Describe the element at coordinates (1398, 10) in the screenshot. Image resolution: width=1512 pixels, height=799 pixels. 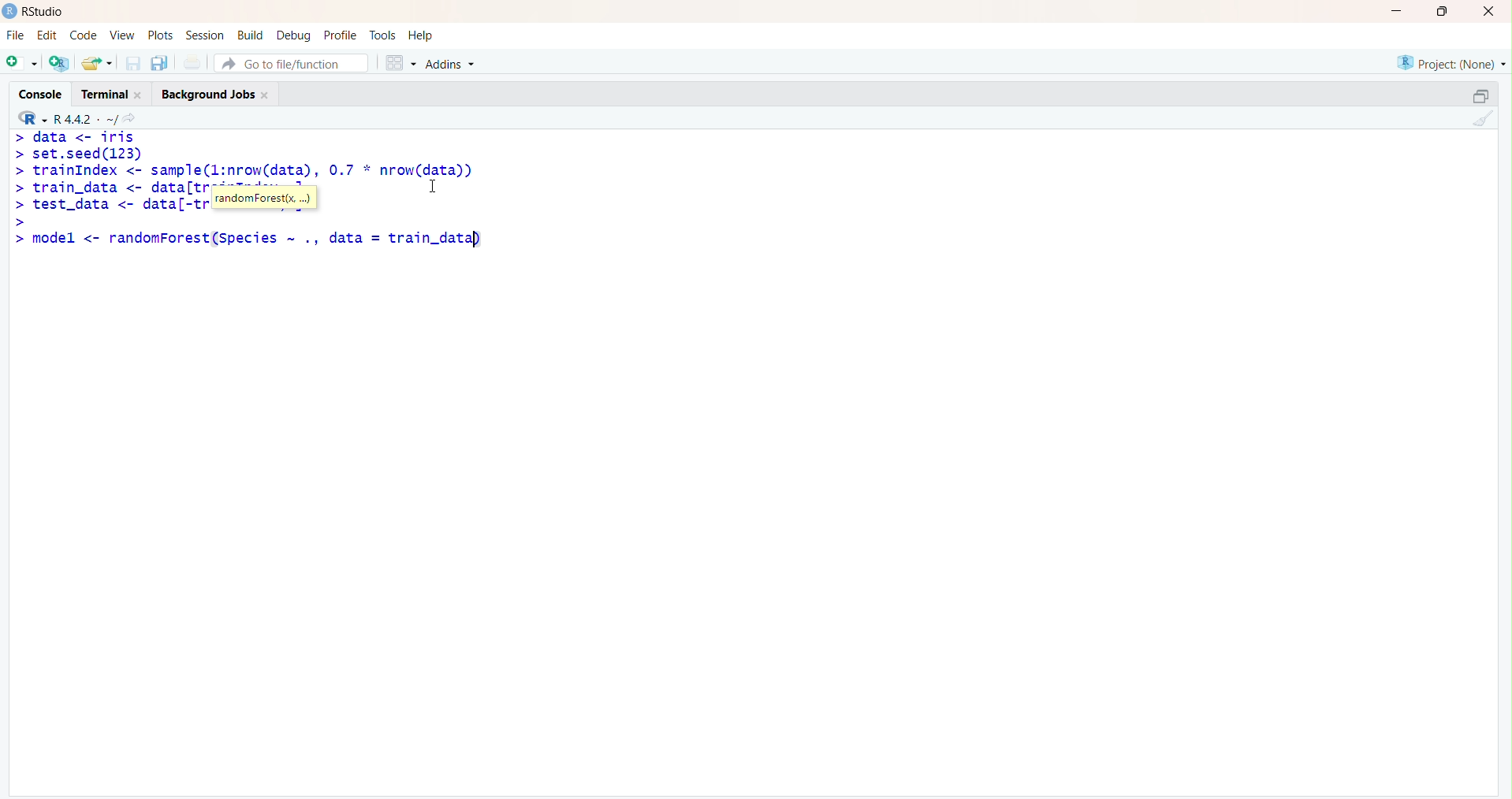
I see `Minimize` at that location.